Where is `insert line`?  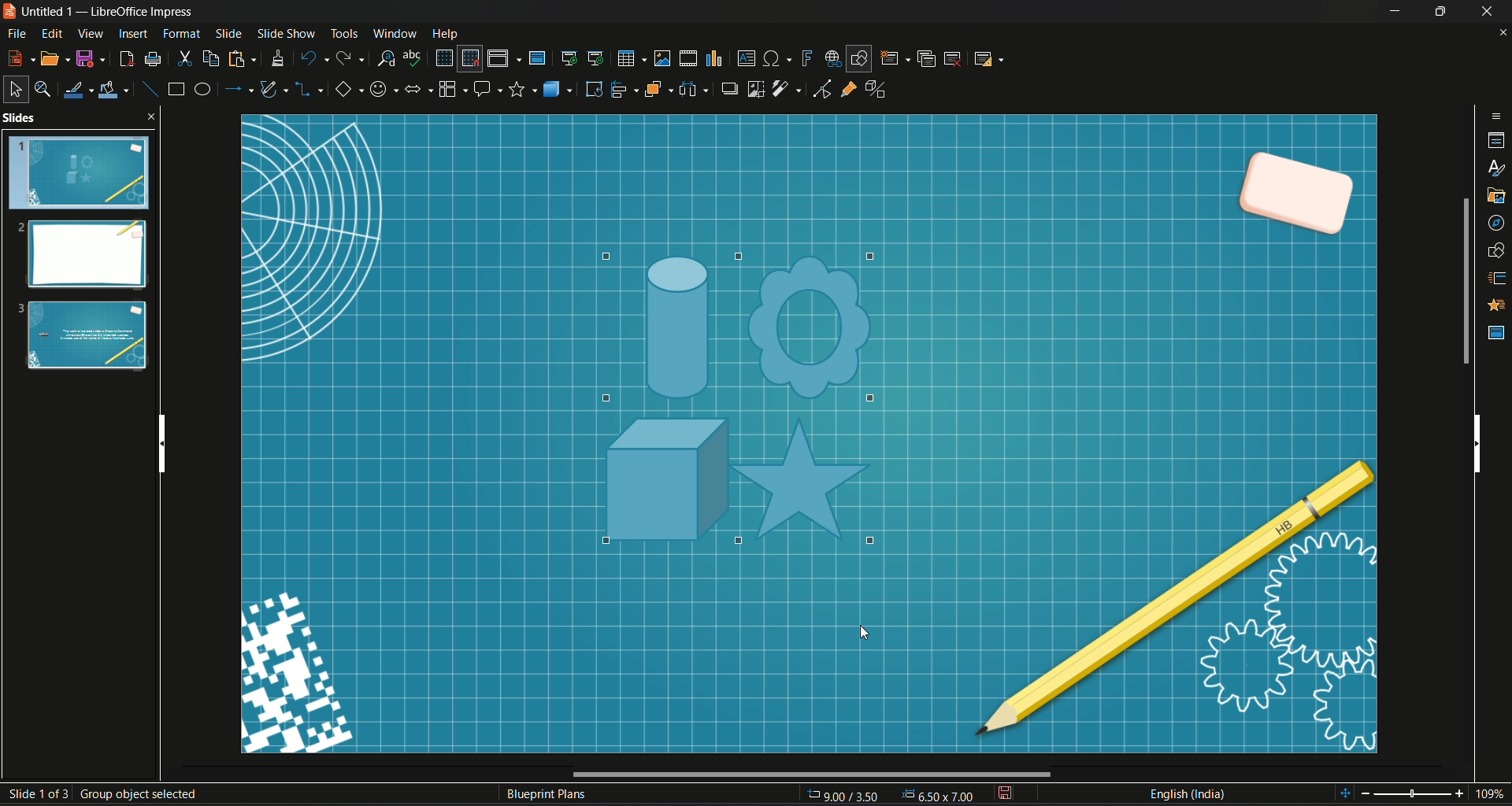 insert line is located at coordinates (149, 89).